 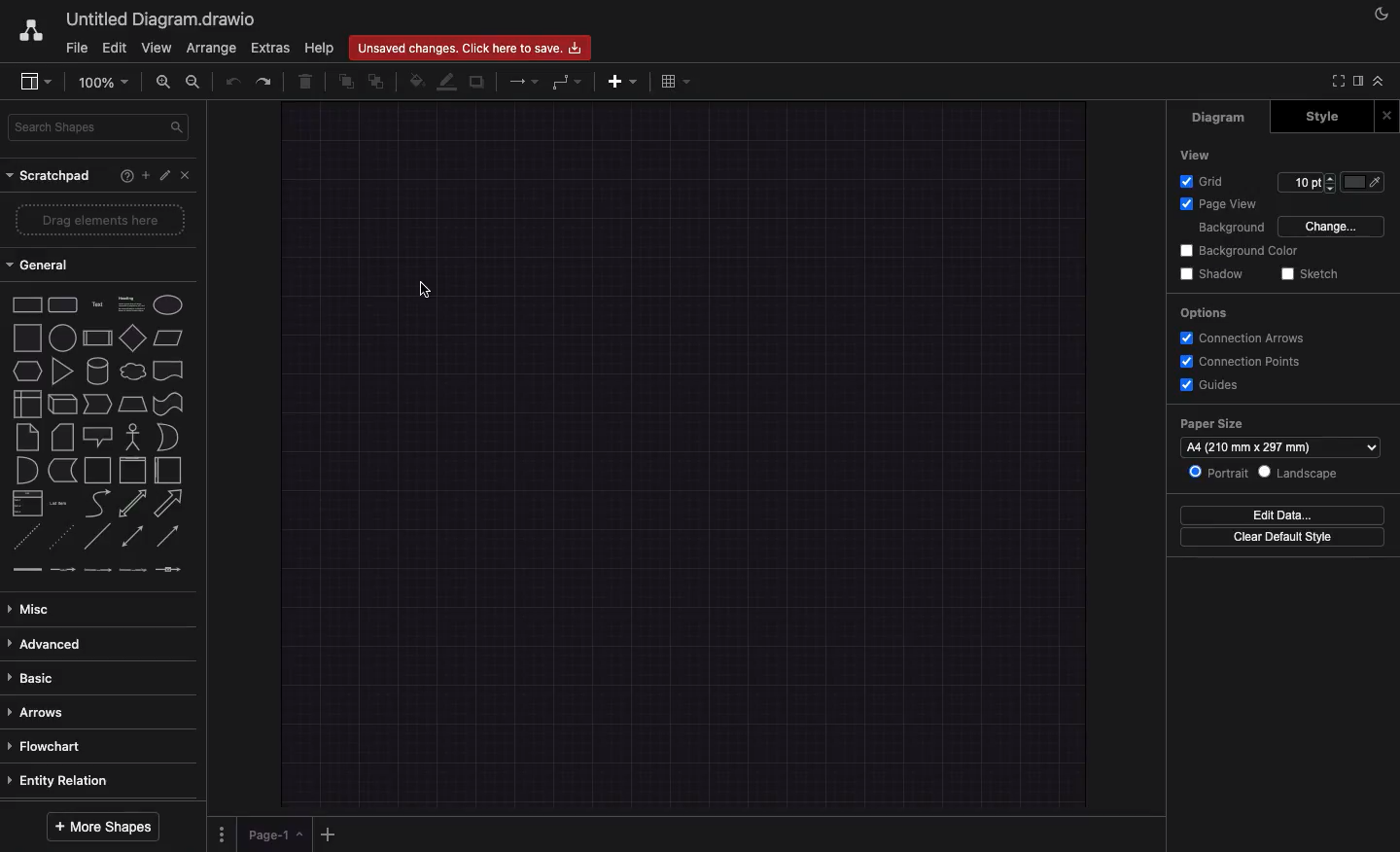 I want to click on document, so click(x=168, y=373).